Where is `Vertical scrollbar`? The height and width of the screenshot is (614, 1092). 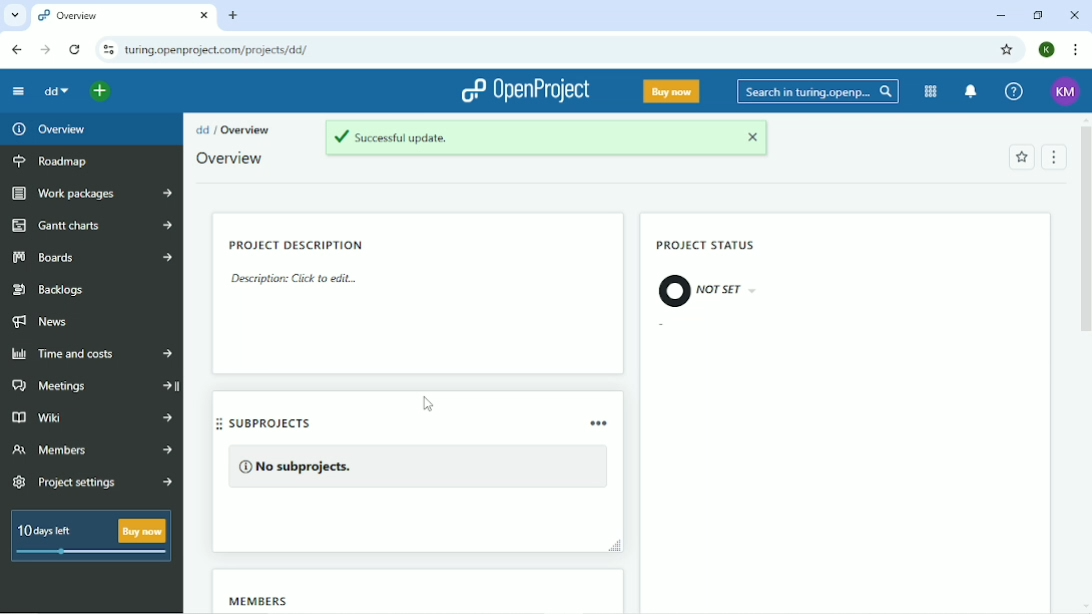
Vertical scrollbar is located at coordinates (1084, 247).